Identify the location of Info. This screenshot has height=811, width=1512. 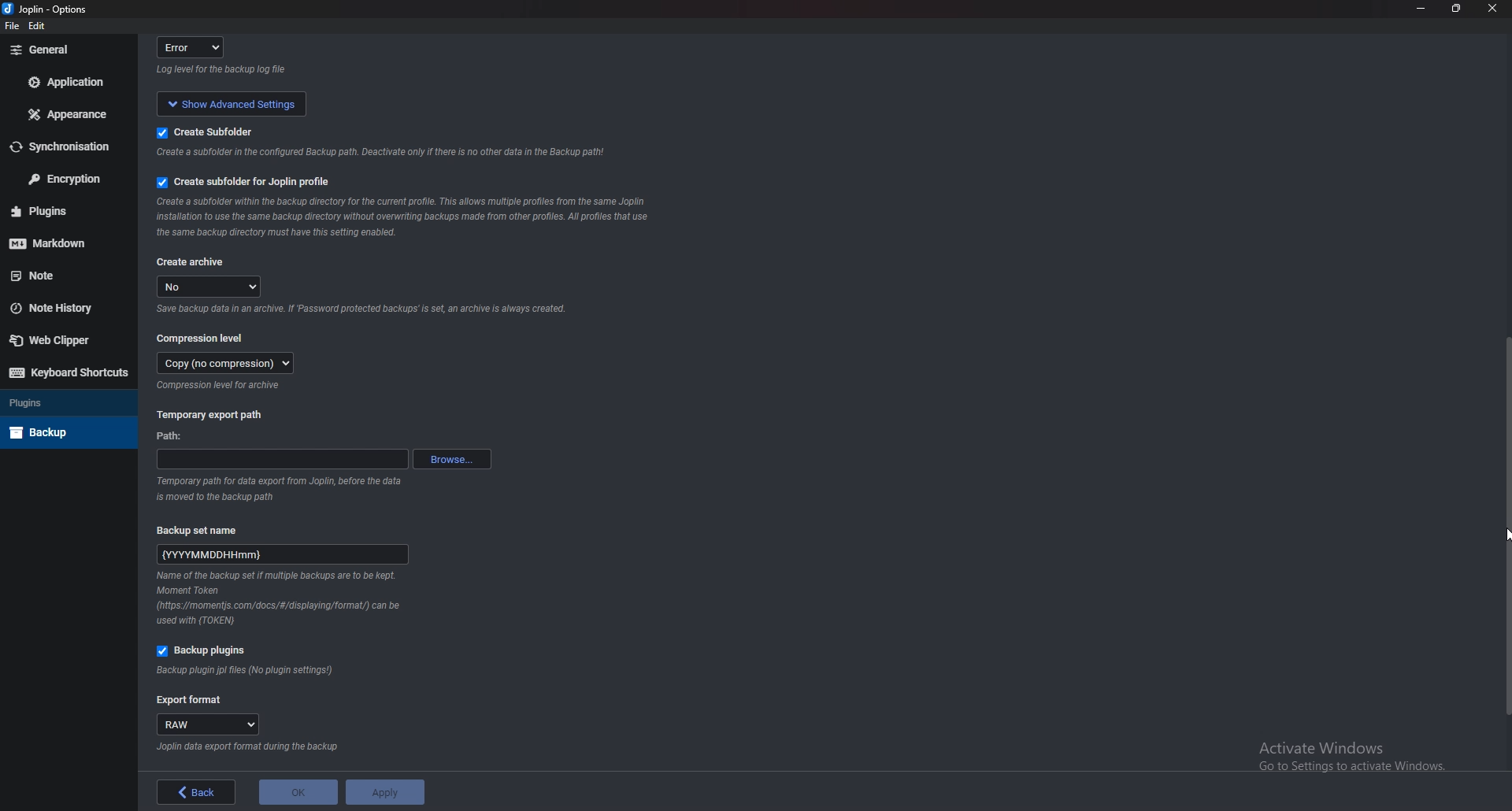
(281, 599).